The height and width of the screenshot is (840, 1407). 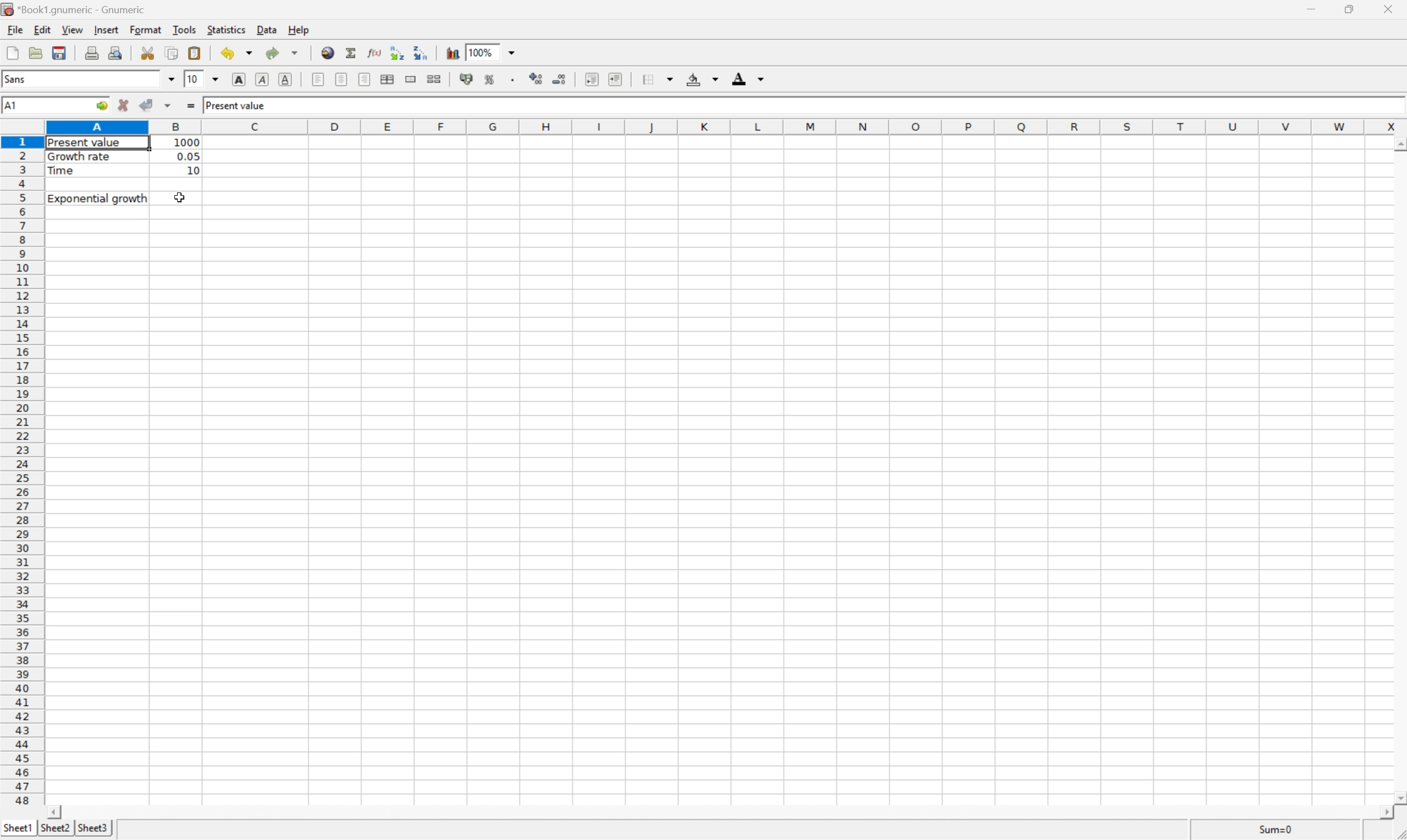 I want to click on Growth rate, so click(x=81, y=156).